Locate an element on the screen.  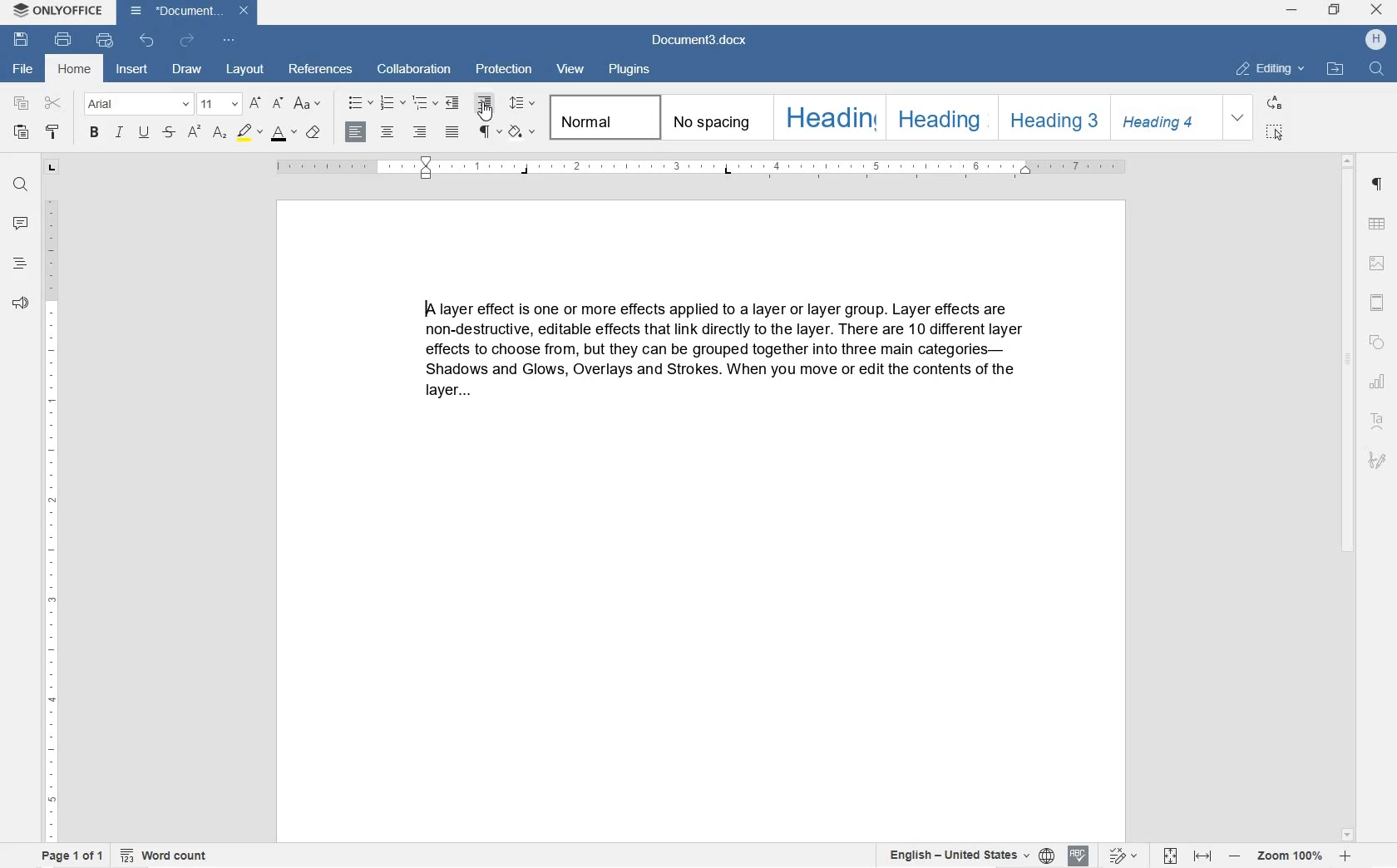
PLUGINS is located at coordinates (633, 69).